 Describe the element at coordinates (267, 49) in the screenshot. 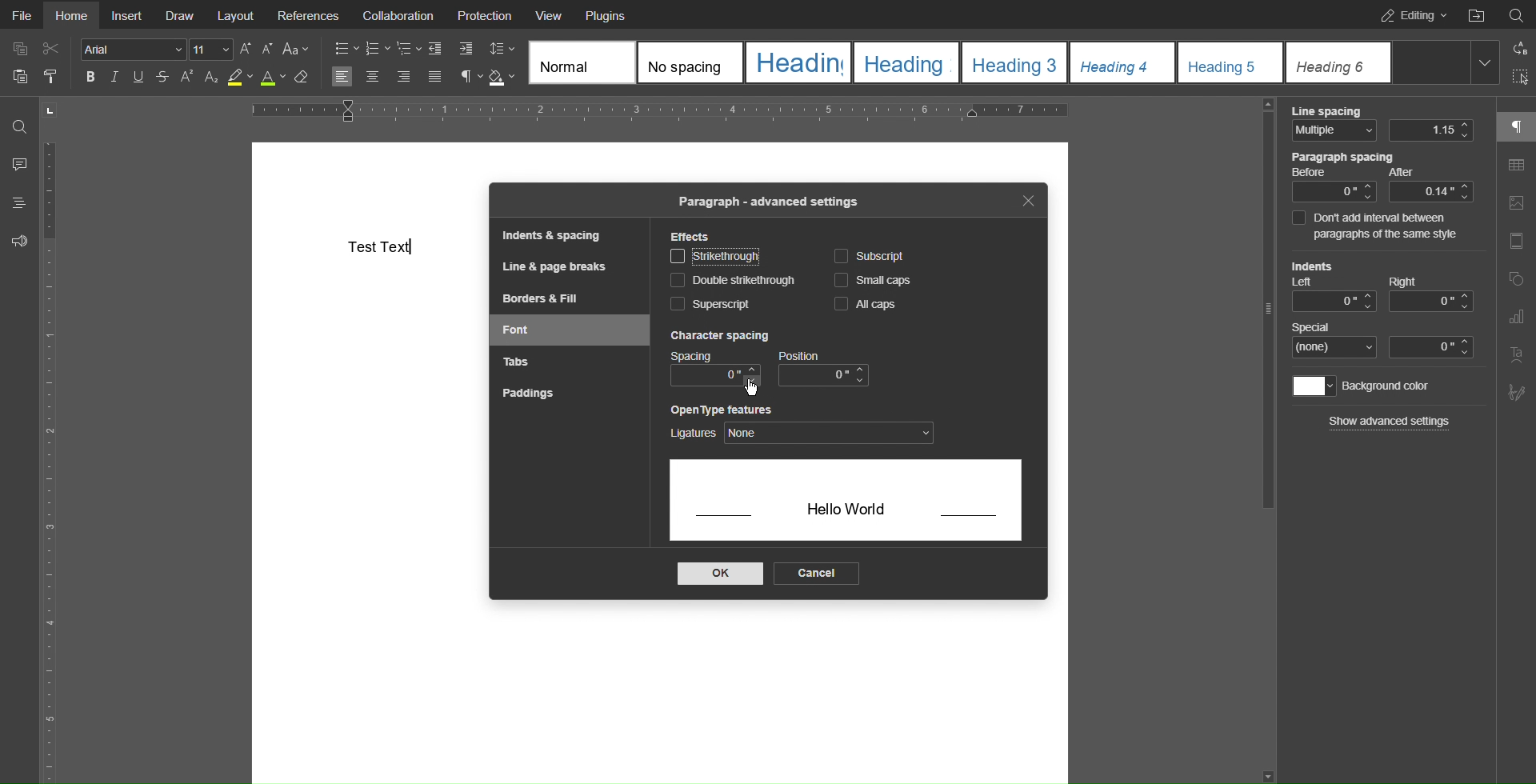

I see `Decrease Size` at that location.